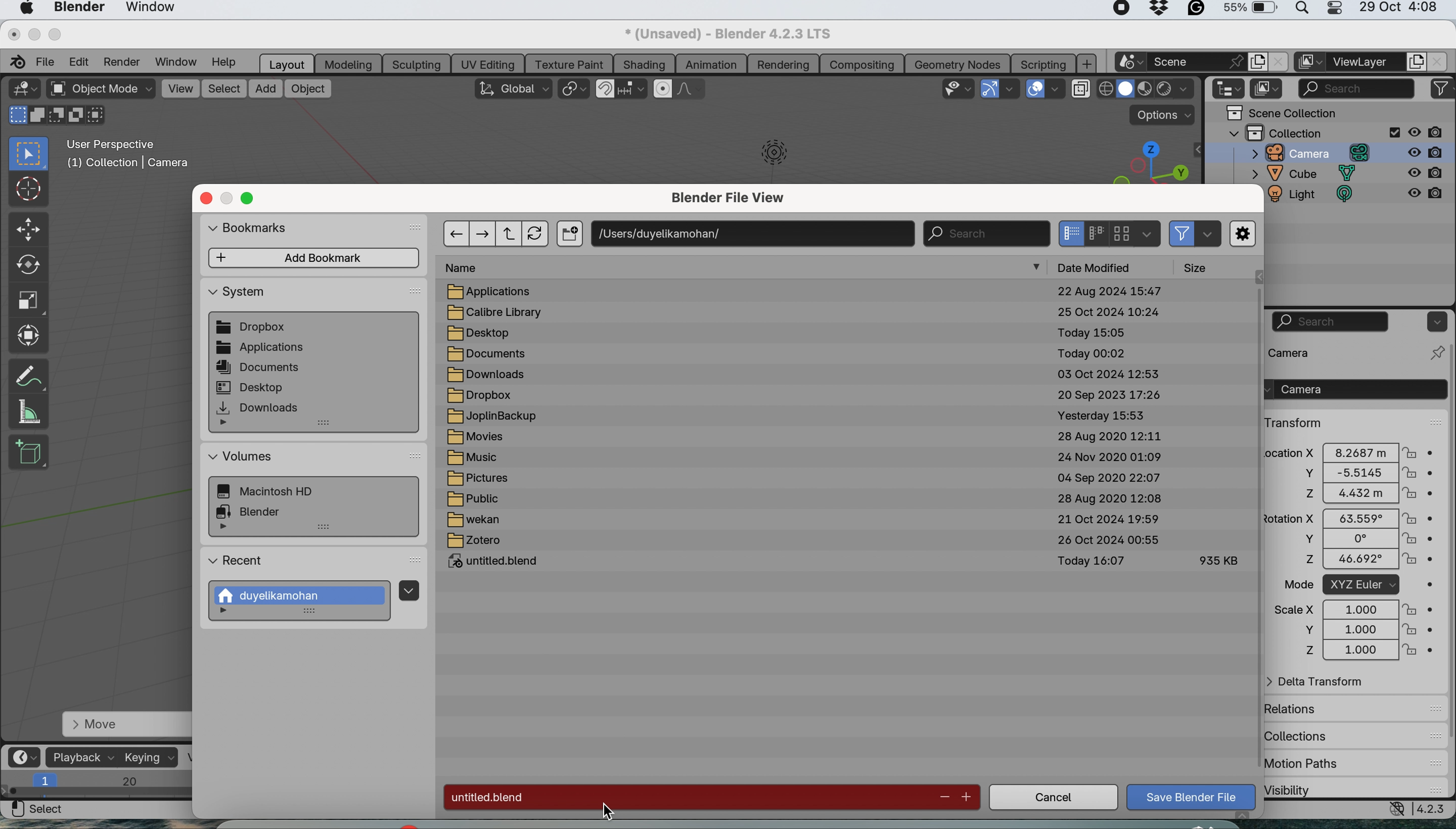  I want to click on pictures, so click(484, 479).